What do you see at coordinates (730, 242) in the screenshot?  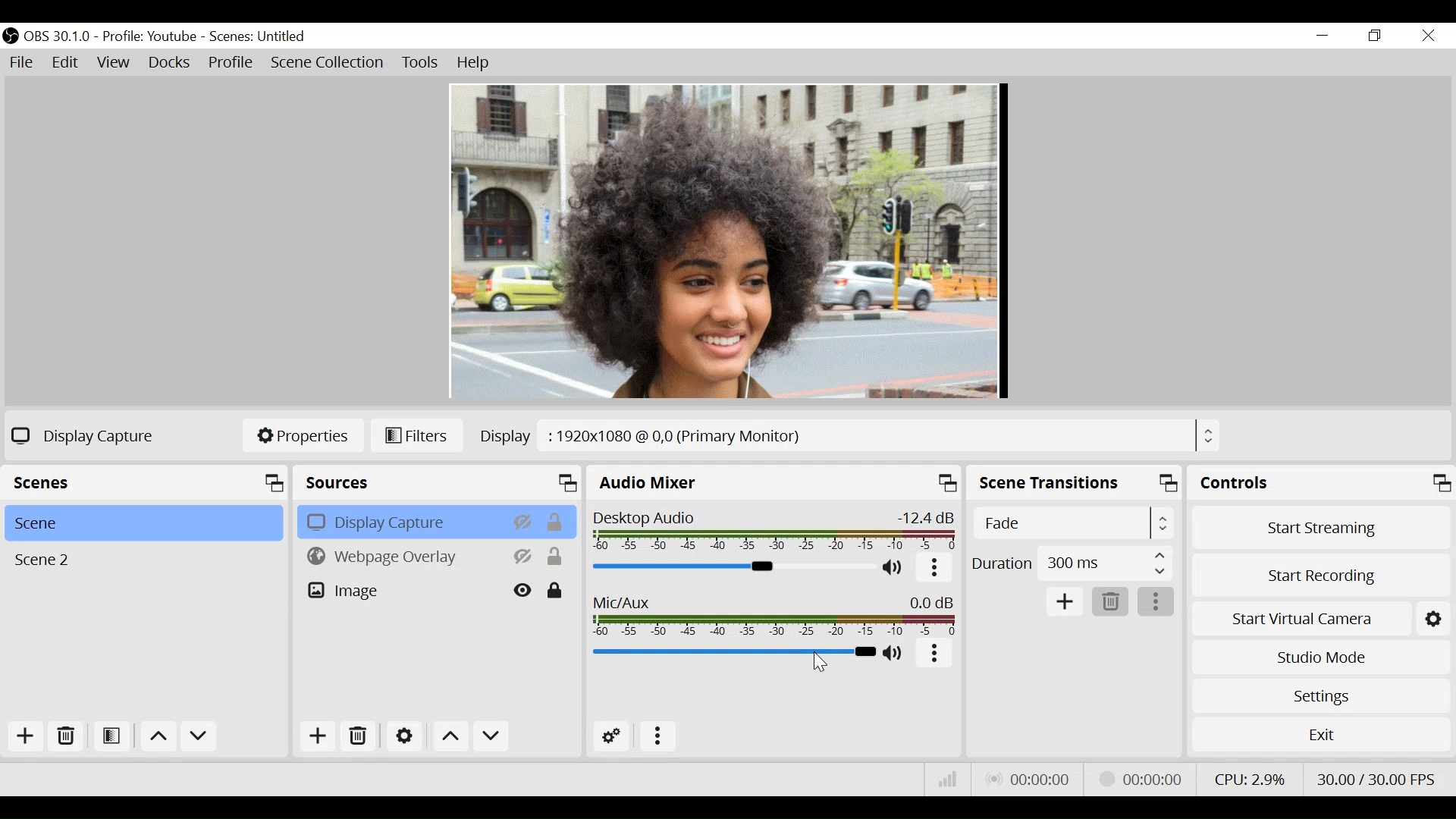 I see `Preview` at bounding box center [730, 242].